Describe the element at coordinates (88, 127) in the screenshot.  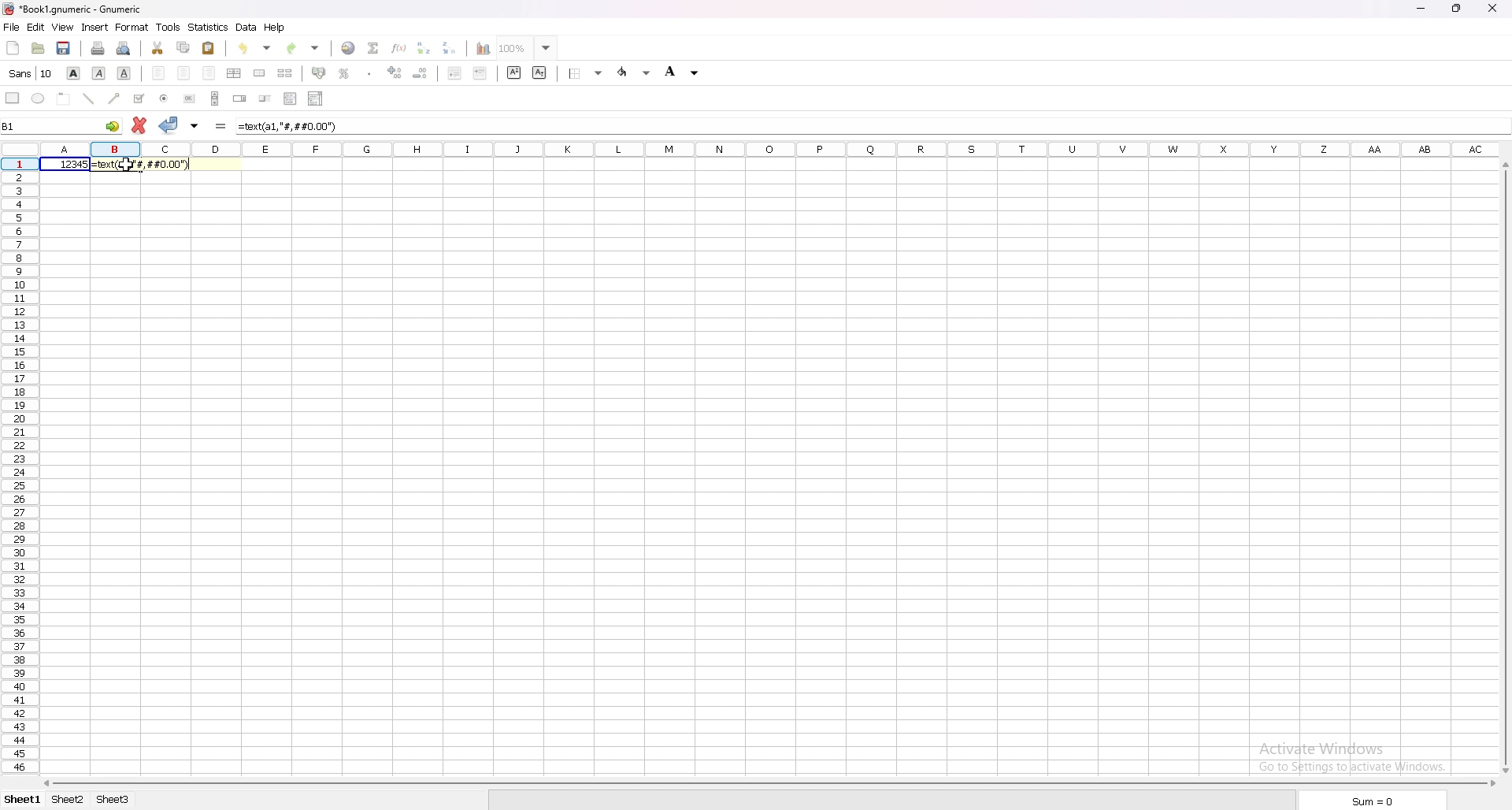
I see `selected cell` at that location.